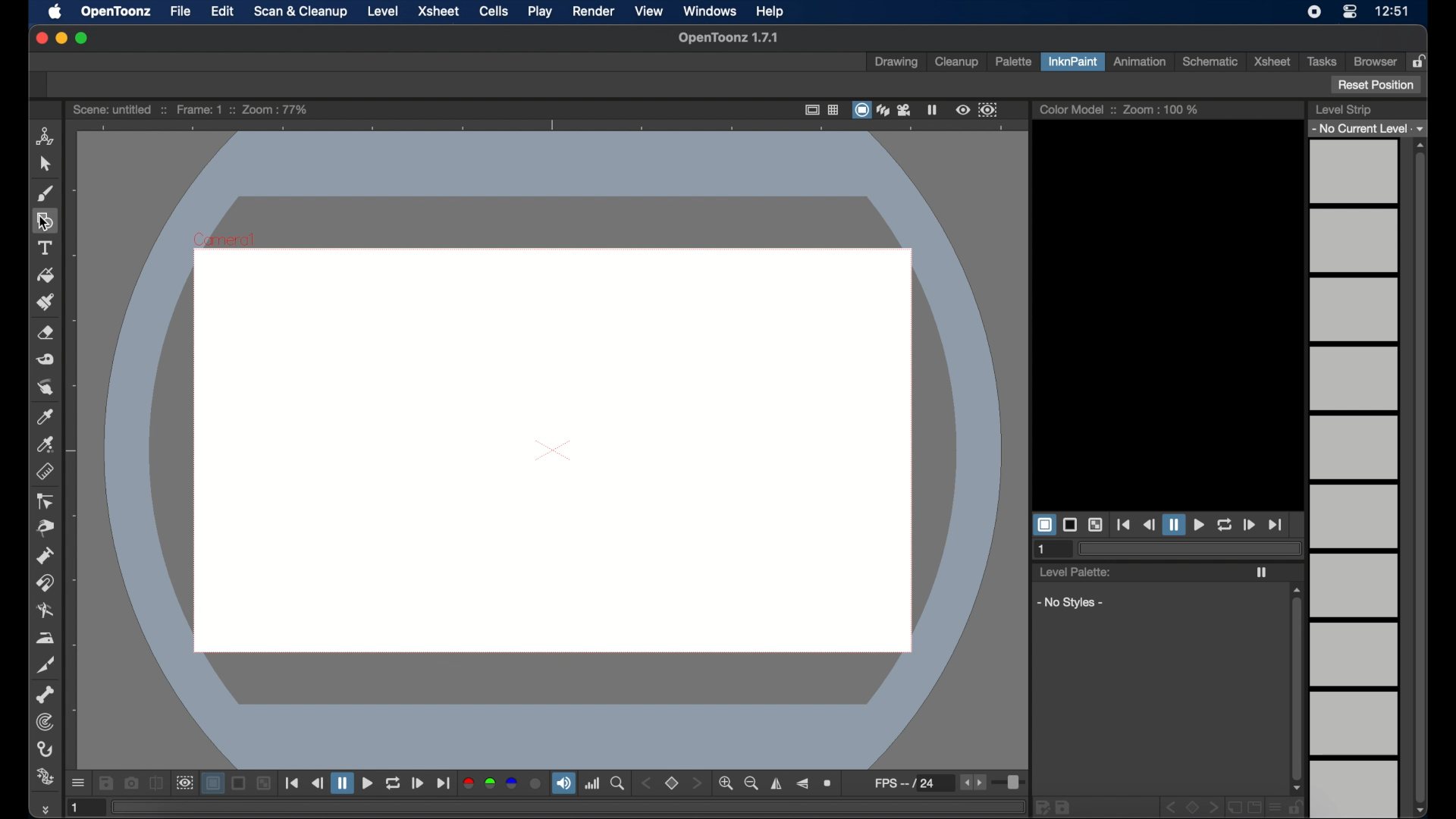  Describe the element at coordinates (1173, 524) in the screenshot. I see `pause button` at that location.